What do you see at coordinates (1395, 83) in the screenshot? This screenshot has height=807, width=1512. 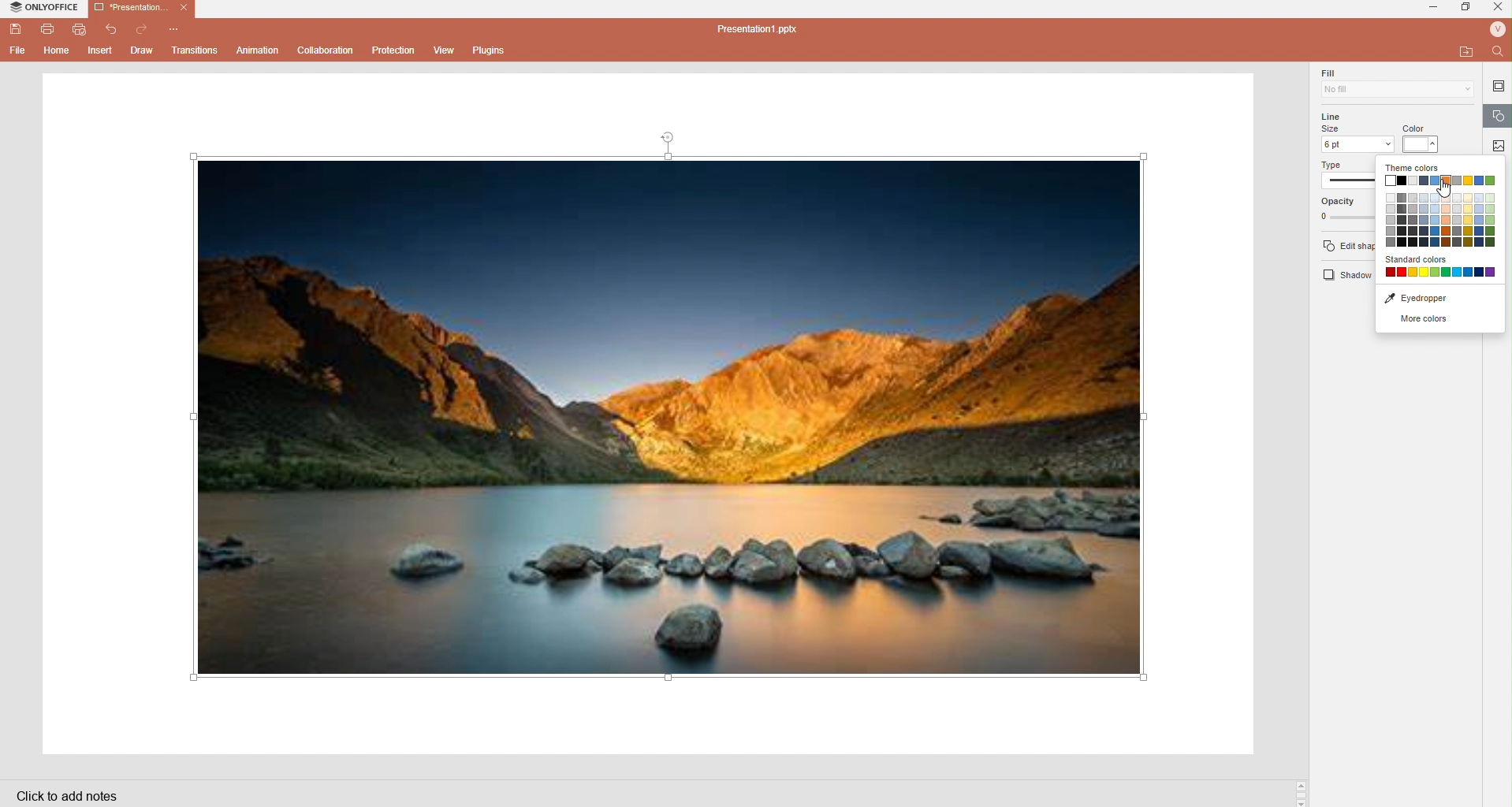 I see `Fill` at bounding box center [1395, 83].